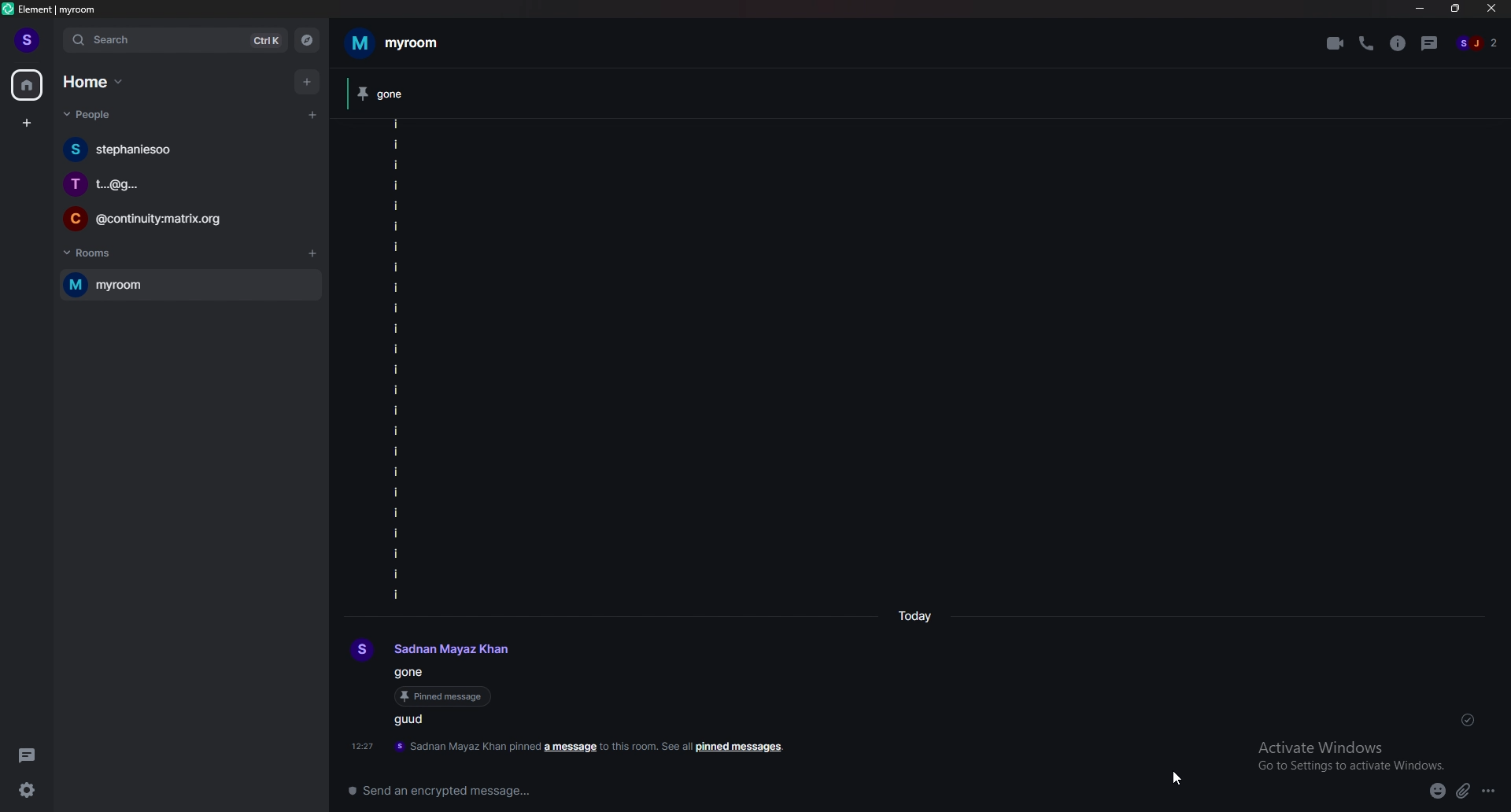 Image resolution: width=1511 pixels, height=812 pixels. Describe the element at coordinates (1365, 44) in the screenshot. I see `voice call` at that location.